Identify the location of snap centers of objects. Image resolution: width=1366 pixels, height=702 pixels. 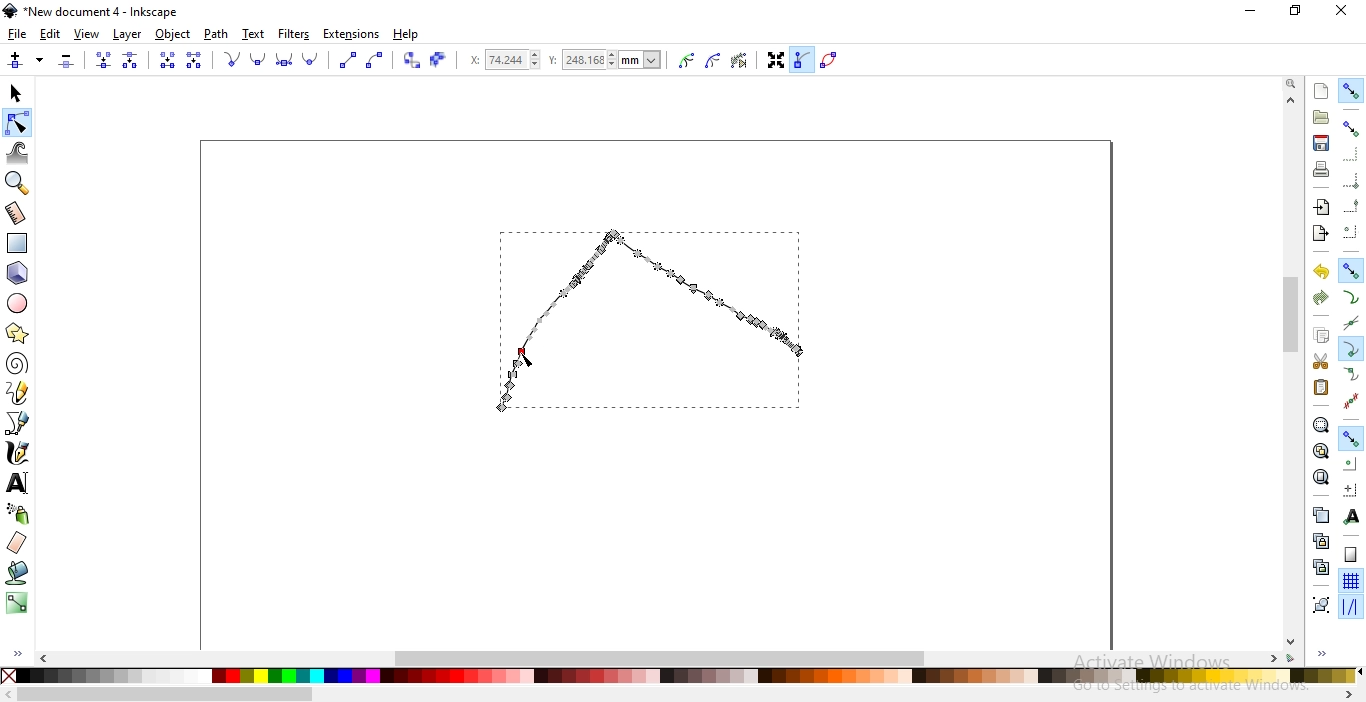
(1349, 462).